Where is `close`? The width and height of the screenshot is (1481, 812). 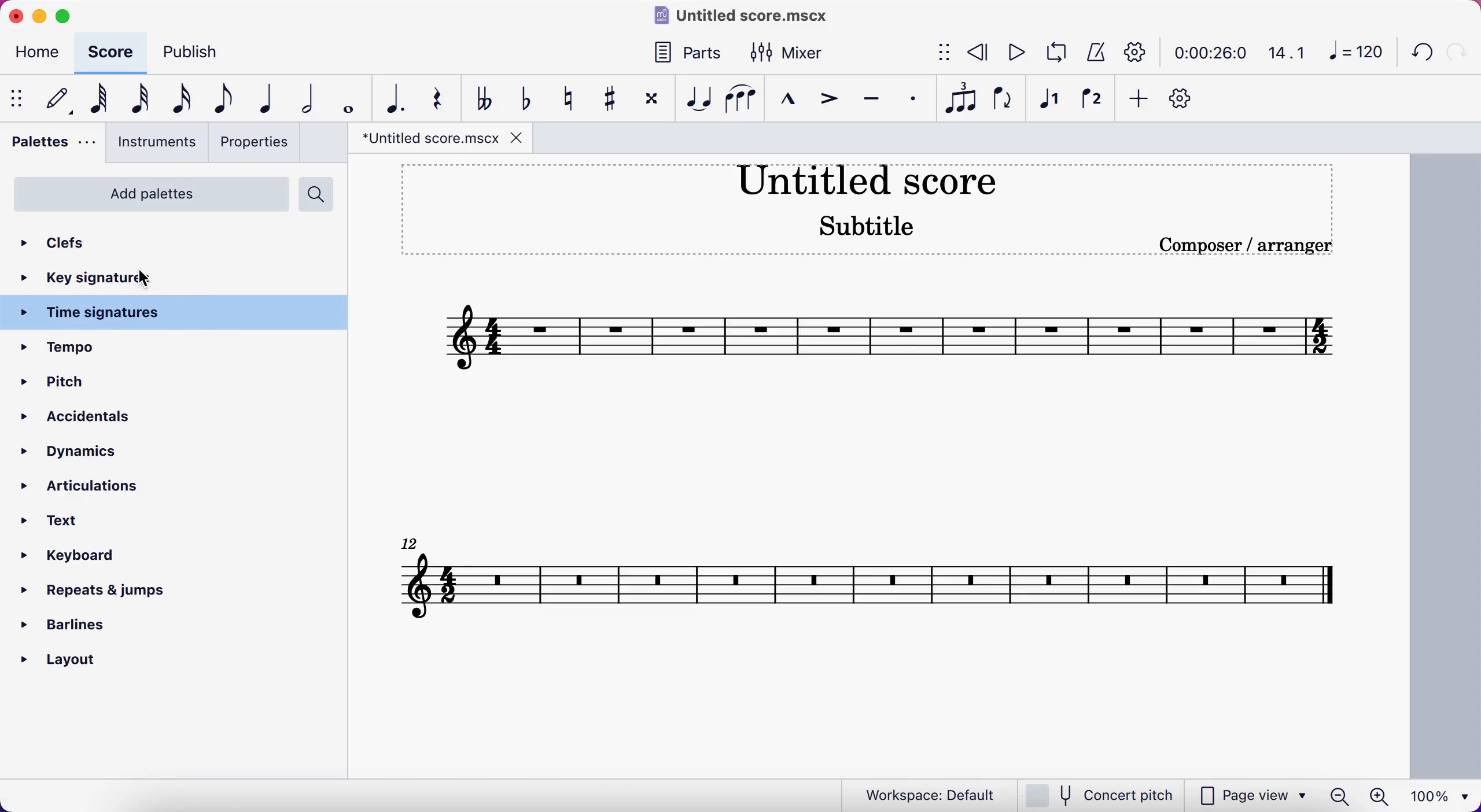 close is located at coordinates (16, 16).